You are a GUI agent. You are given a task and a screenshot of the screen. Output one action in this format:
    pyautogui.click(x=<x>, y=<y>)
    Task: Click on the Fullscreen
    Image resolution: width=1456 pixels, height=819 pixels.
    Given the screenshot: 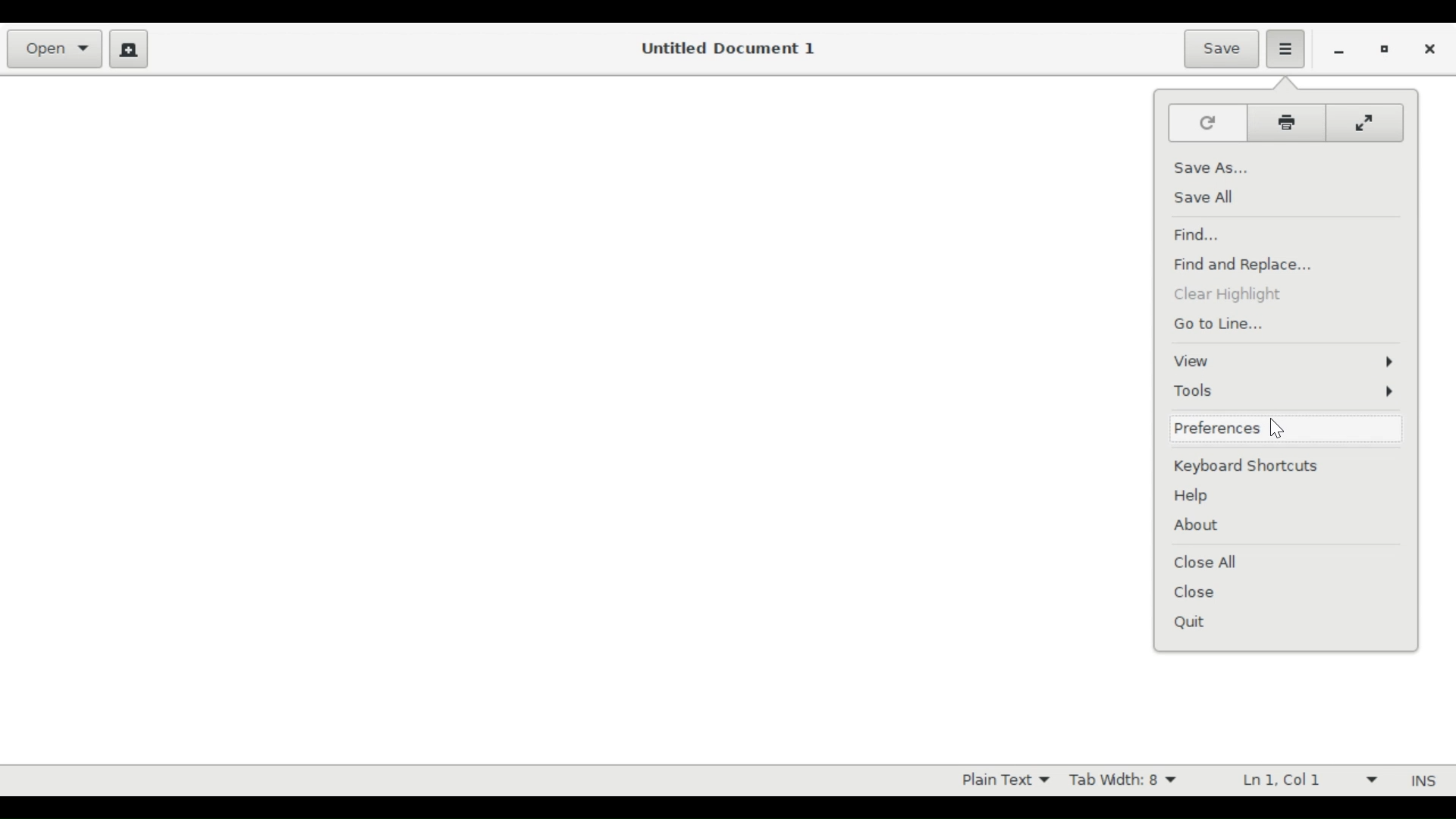 What is the action you would take?
    pyautogui.click(x=1367, y=122)
    